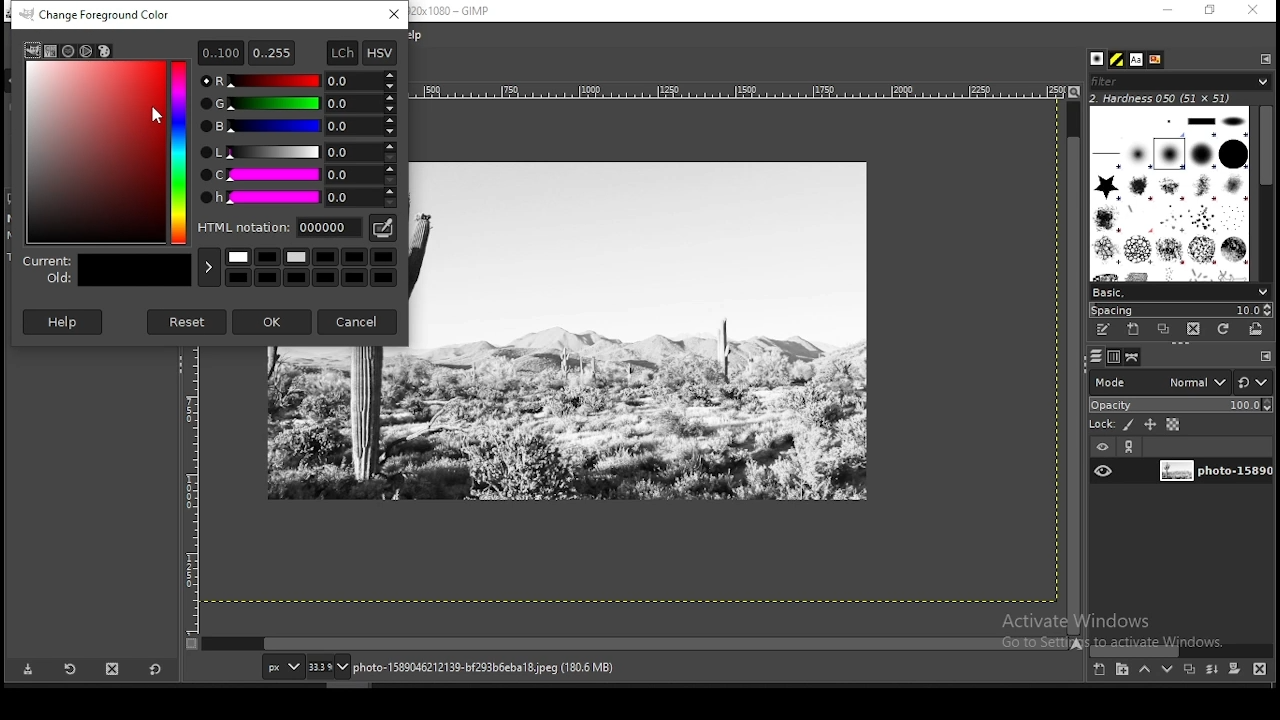 This screenshot has width=1280, height=720. What do you see at coordinates (381, 229) in the screenshot?
I see `color picker` at bounding box center [381, 229].